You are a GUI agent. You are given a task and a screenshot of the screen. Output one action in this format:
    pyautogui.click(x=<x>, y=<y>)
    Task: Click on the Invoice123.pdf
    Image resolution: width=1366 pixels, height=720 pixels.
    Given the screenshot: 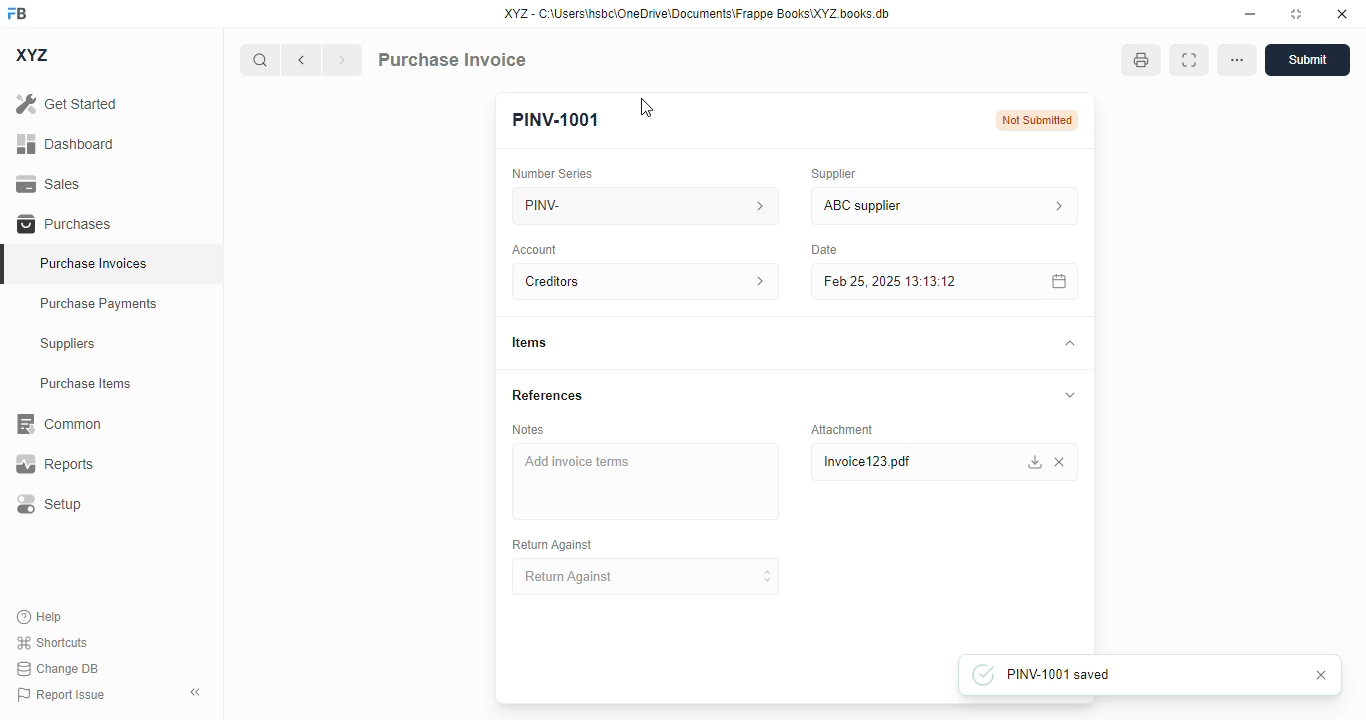 What is the action you would take?
    pyautogui.click(x=877, y=462)
    